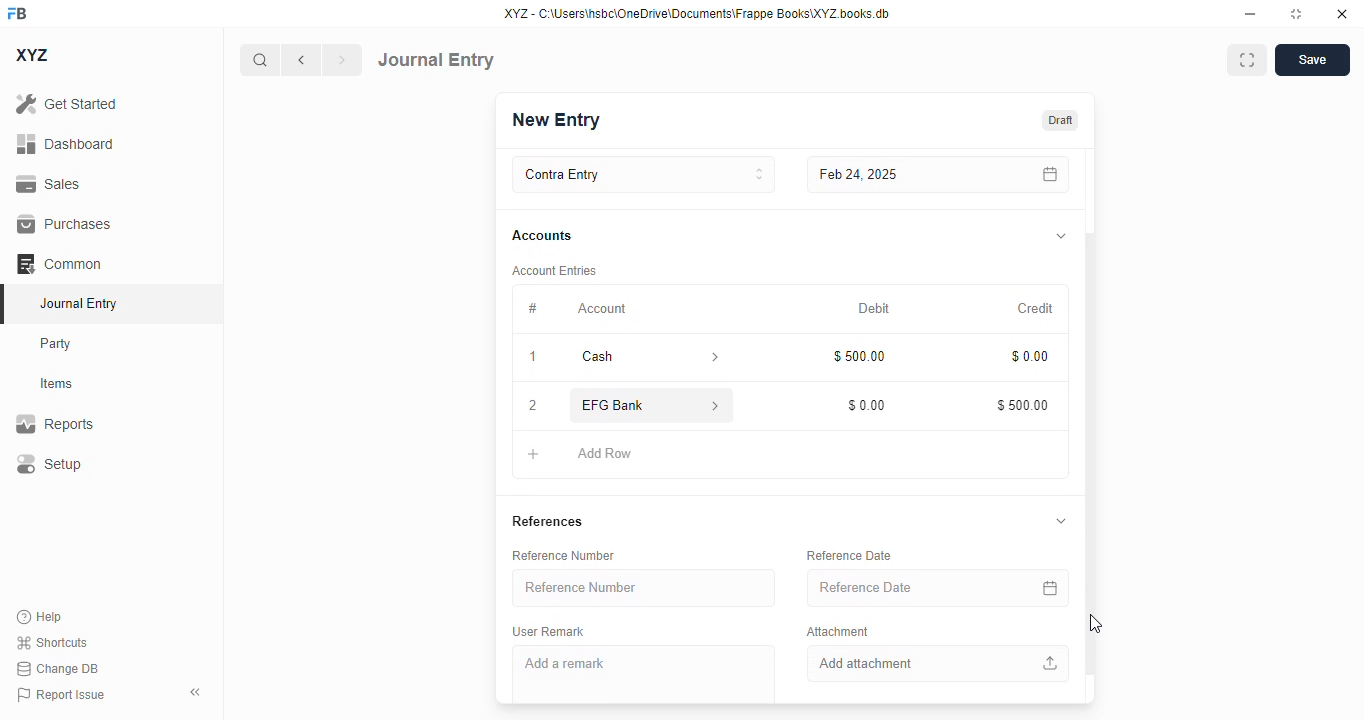  Describe the element at coordinates (1028, 354) in the screenshot. I see `$0.00` at that location.